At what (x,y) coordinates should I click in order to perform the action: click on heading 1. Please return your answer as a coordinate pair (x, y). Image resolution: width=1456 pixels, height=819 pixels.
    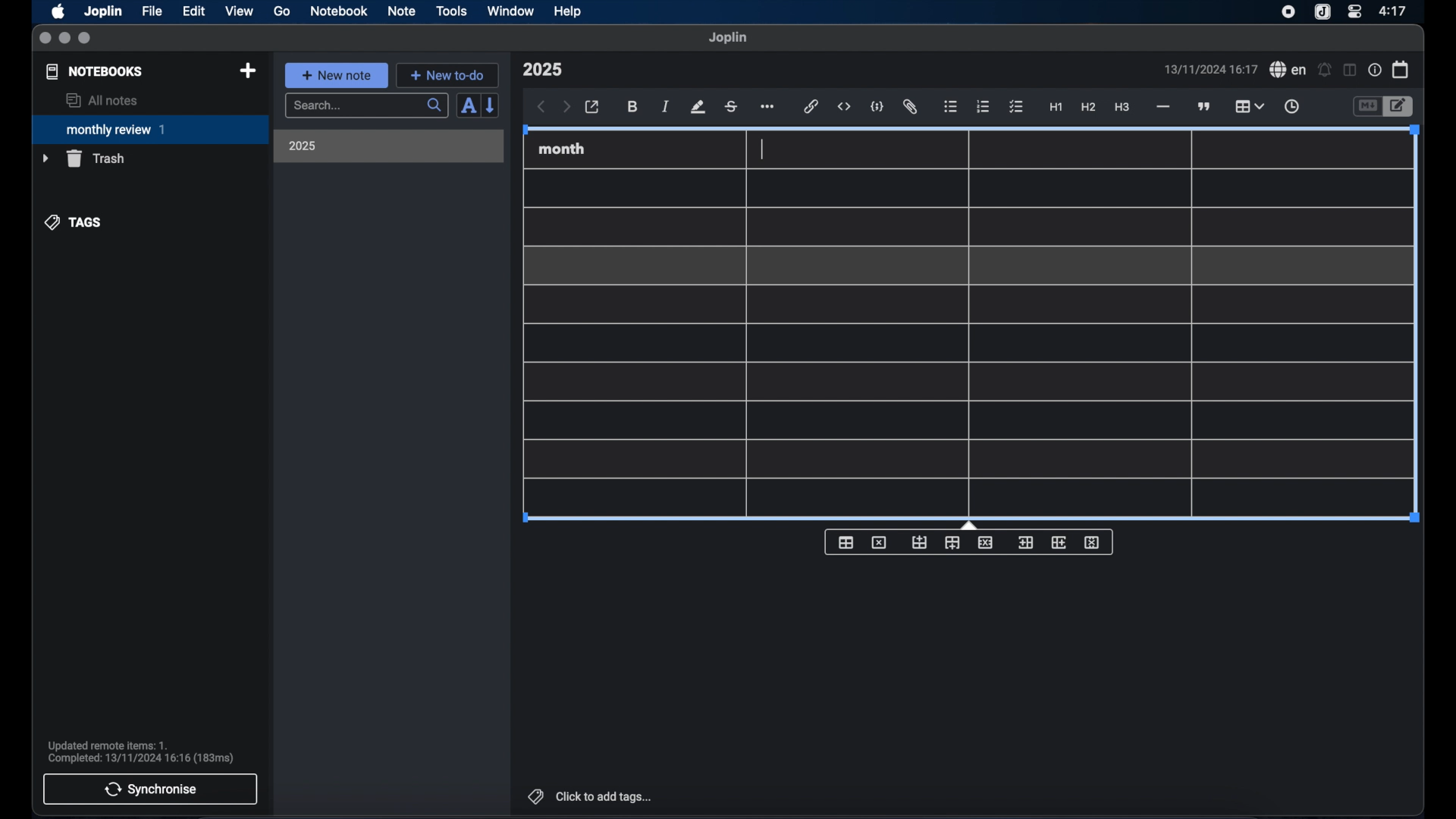
    Looking at the image, I should click on (1056, 108).